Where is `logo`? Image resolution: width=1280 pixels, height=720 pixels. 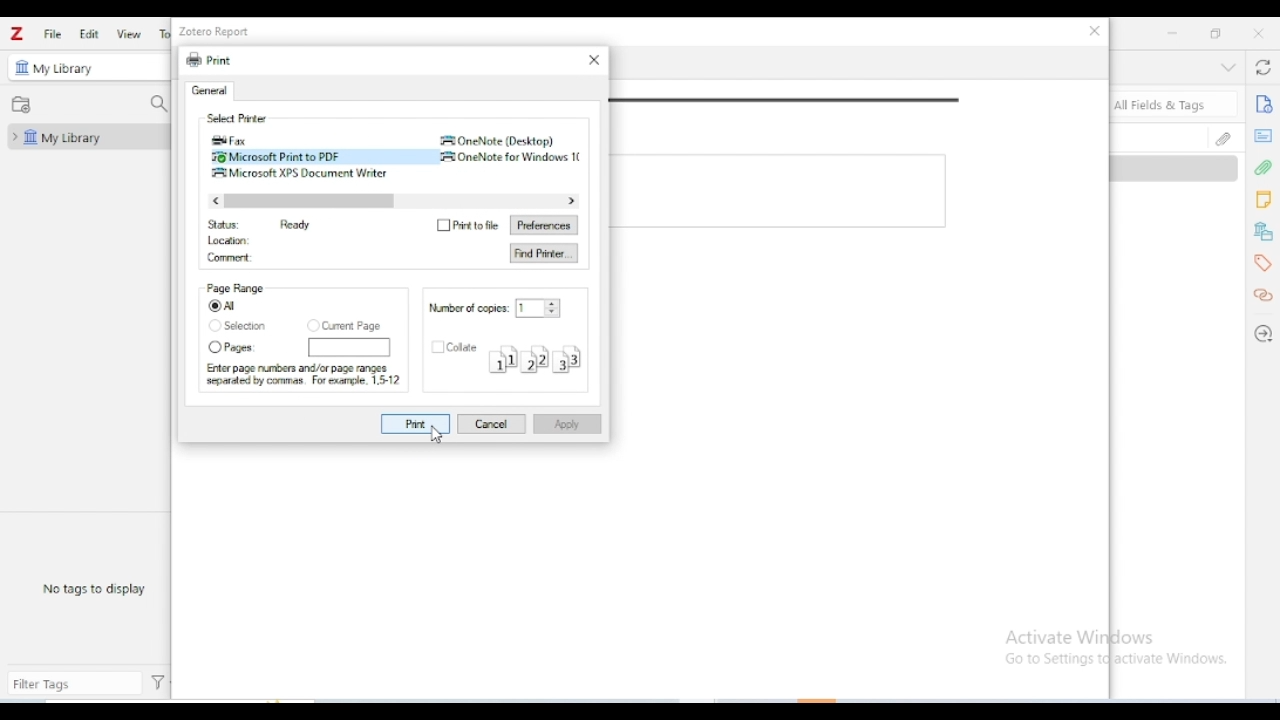
logo is located at coordinates (17, 34).